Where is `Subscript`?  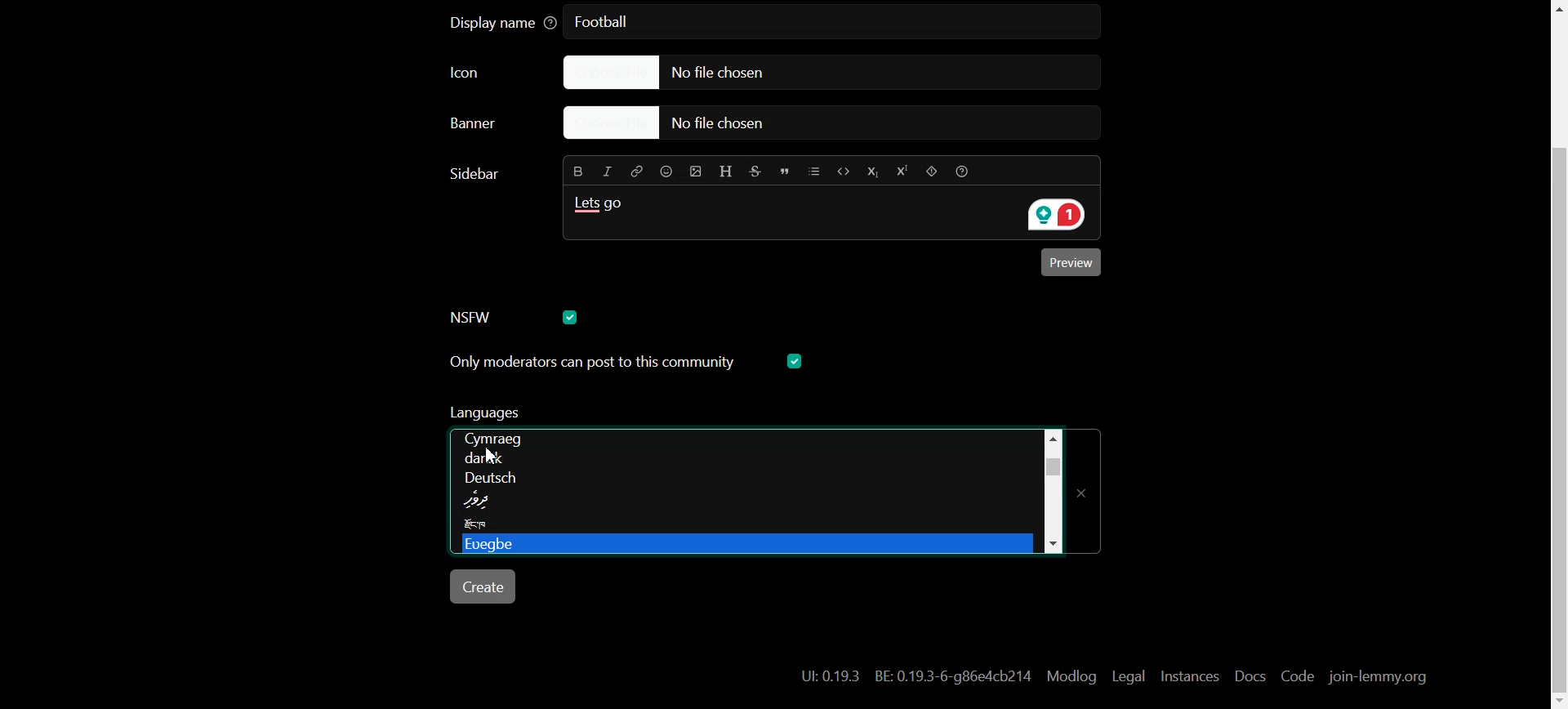
Subscript is located at coordinates (871, 171).